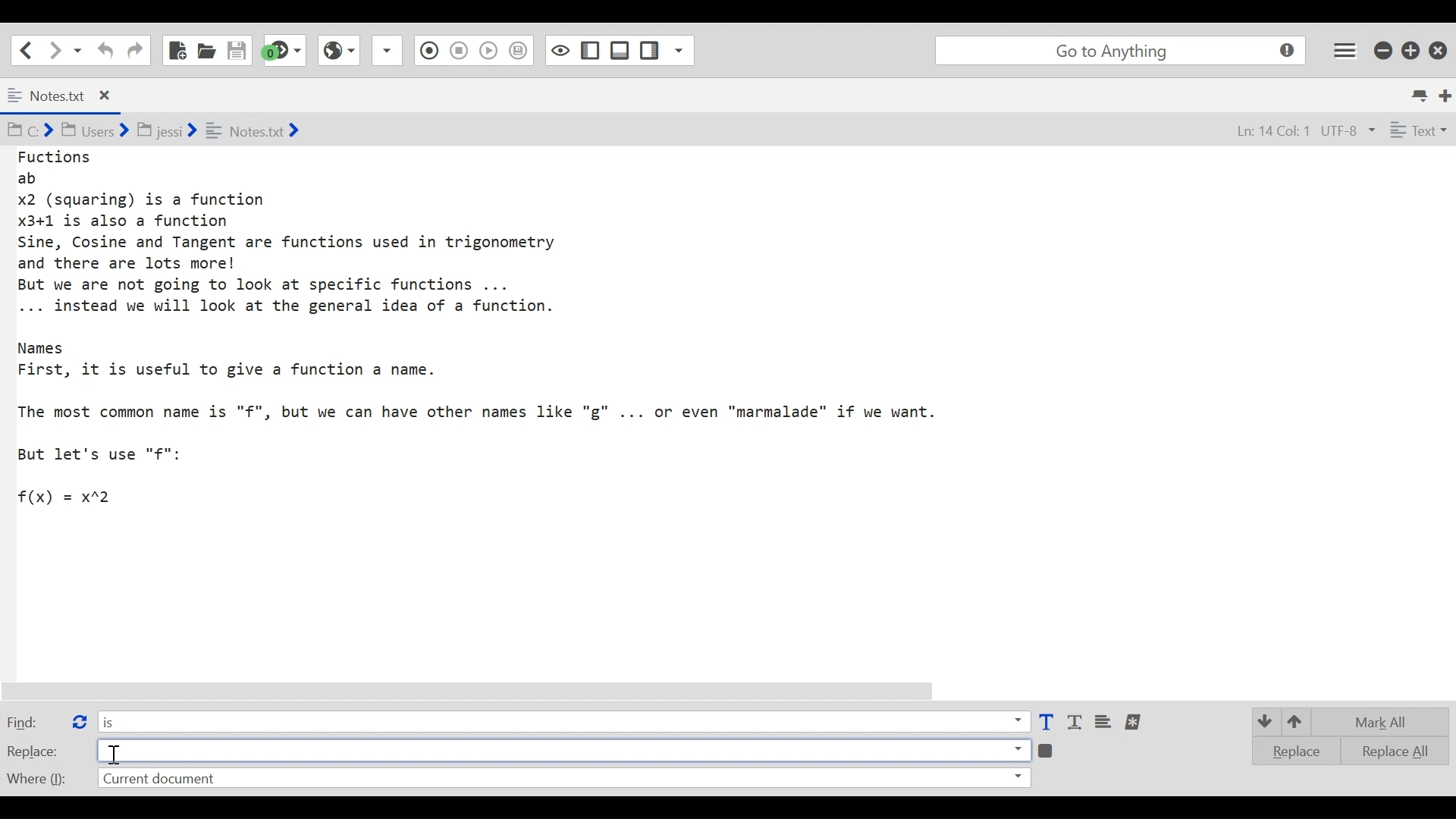 The width and height of the screenshot is (1456, 819). I want to click on Insertion Cursor, so click(116, 755).